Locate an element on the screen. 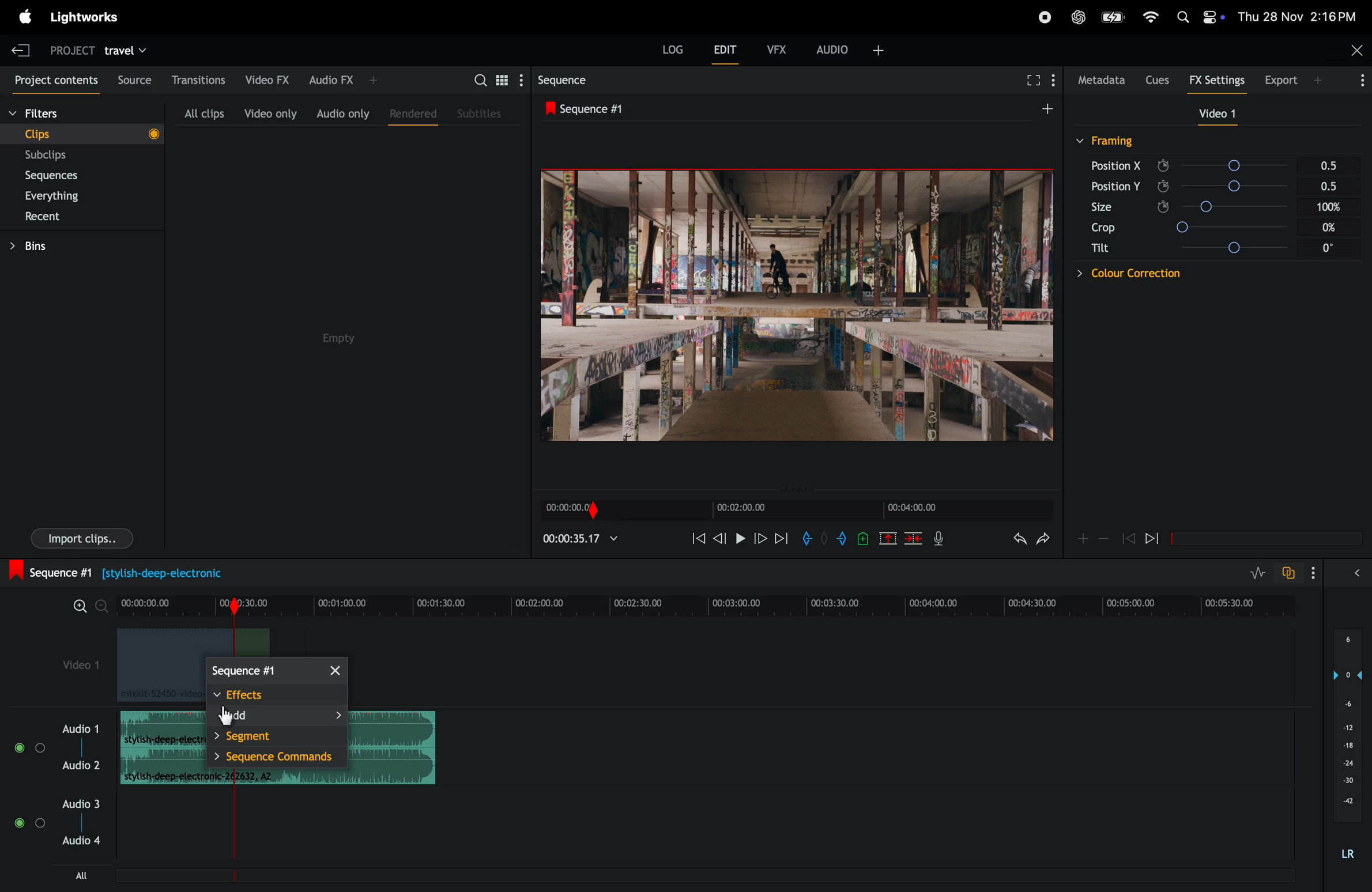 The image size is (1372, 892). angle is located at coordinates (1261, 247).